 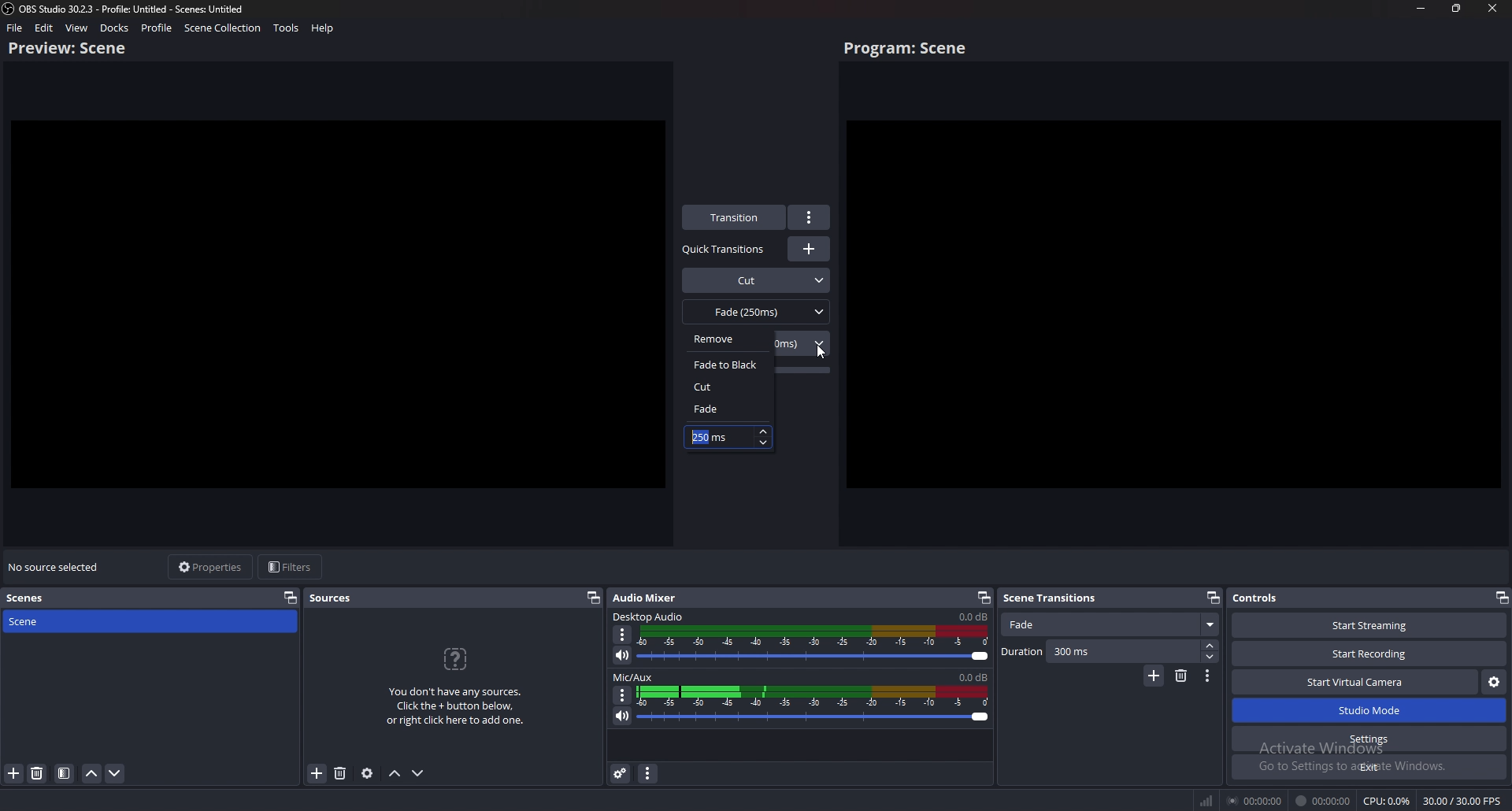 What do you see at coordinates (1324, 801) in the screenshot?
I see ` 00:00:00` at bounding box center [1324, 801].